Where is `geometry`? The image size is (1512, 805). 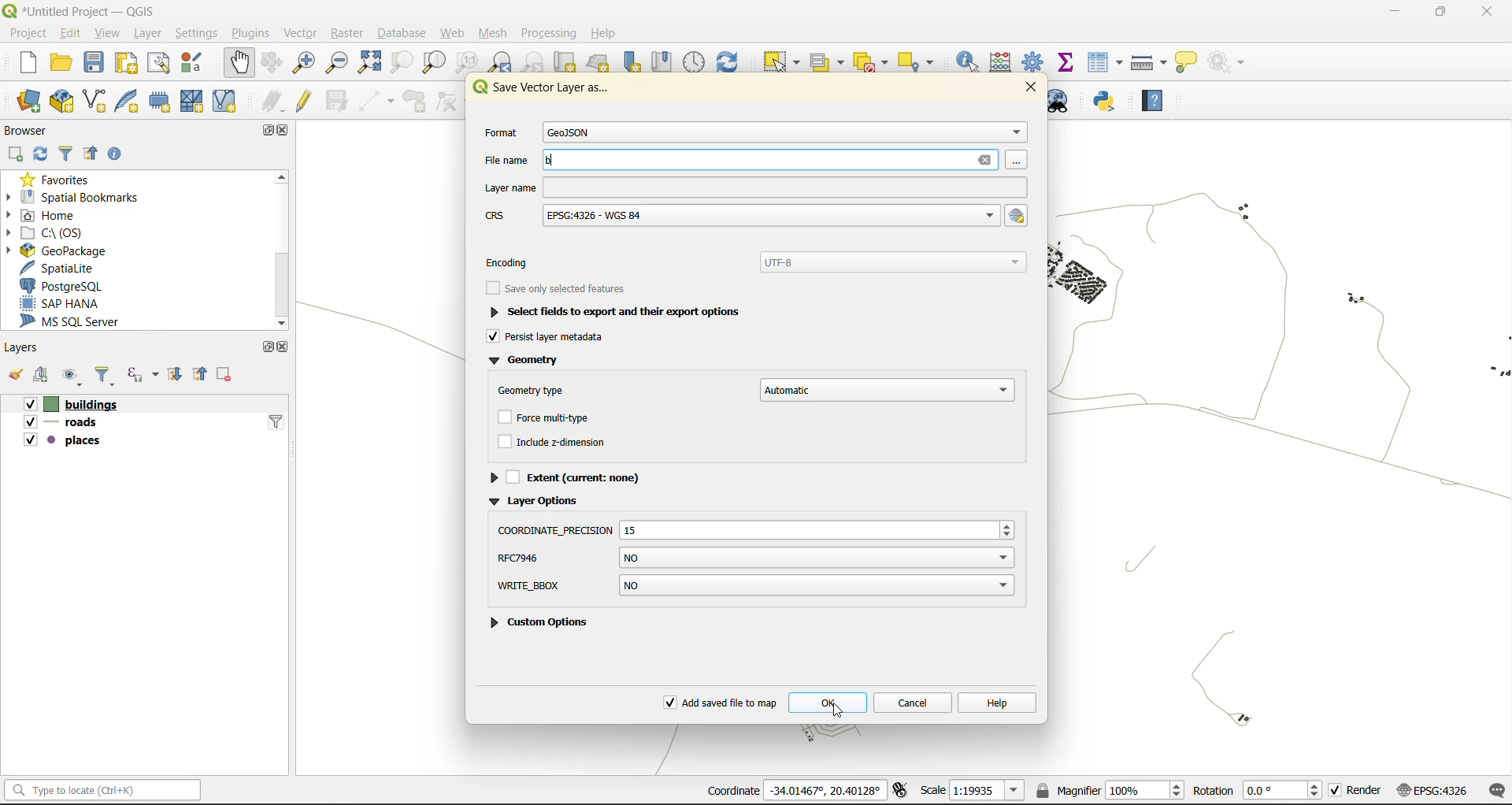 geometry is located at coordinates (525, 362).